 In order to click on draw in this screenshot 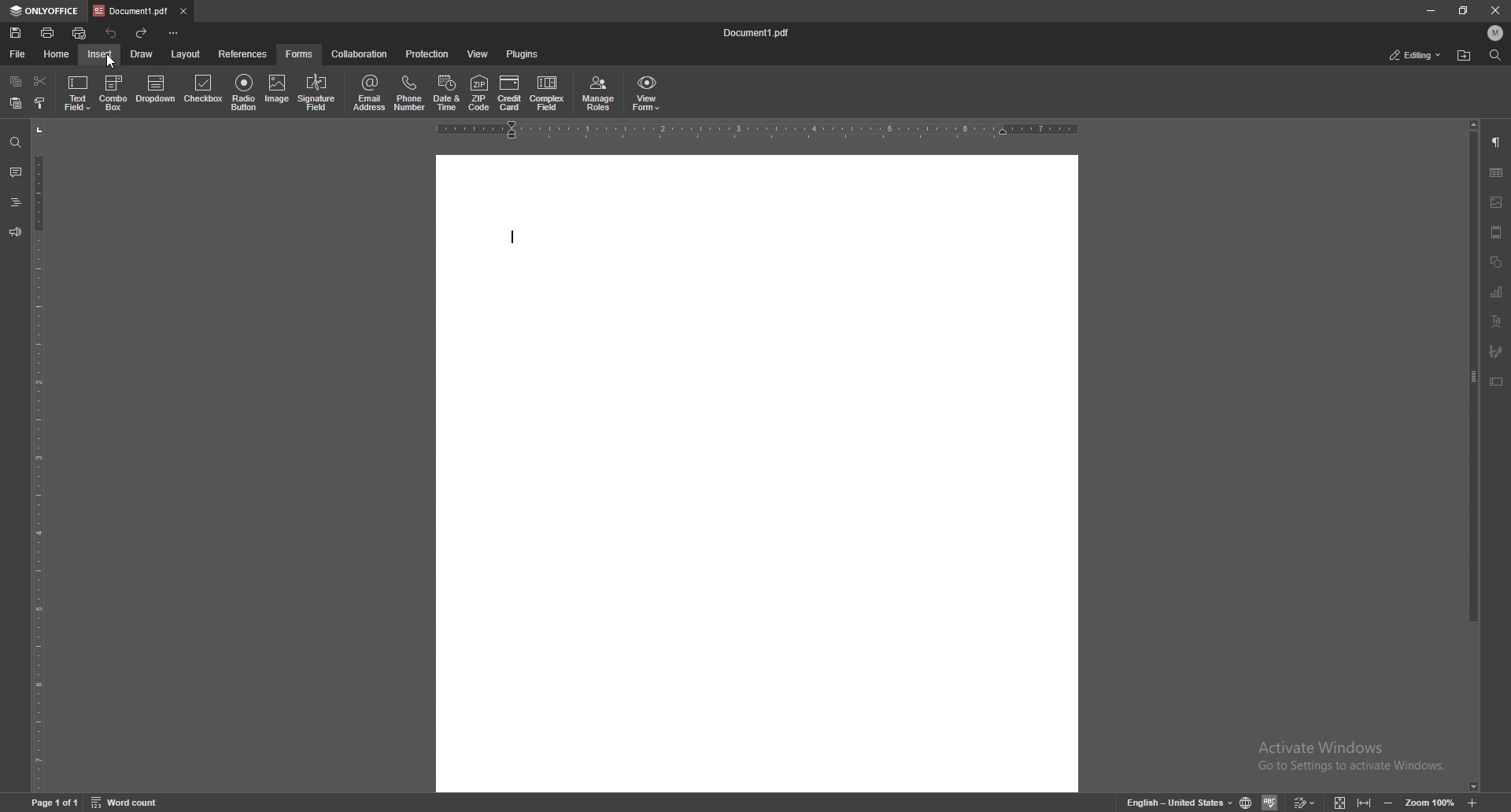, I will do `click(143, 54)`.